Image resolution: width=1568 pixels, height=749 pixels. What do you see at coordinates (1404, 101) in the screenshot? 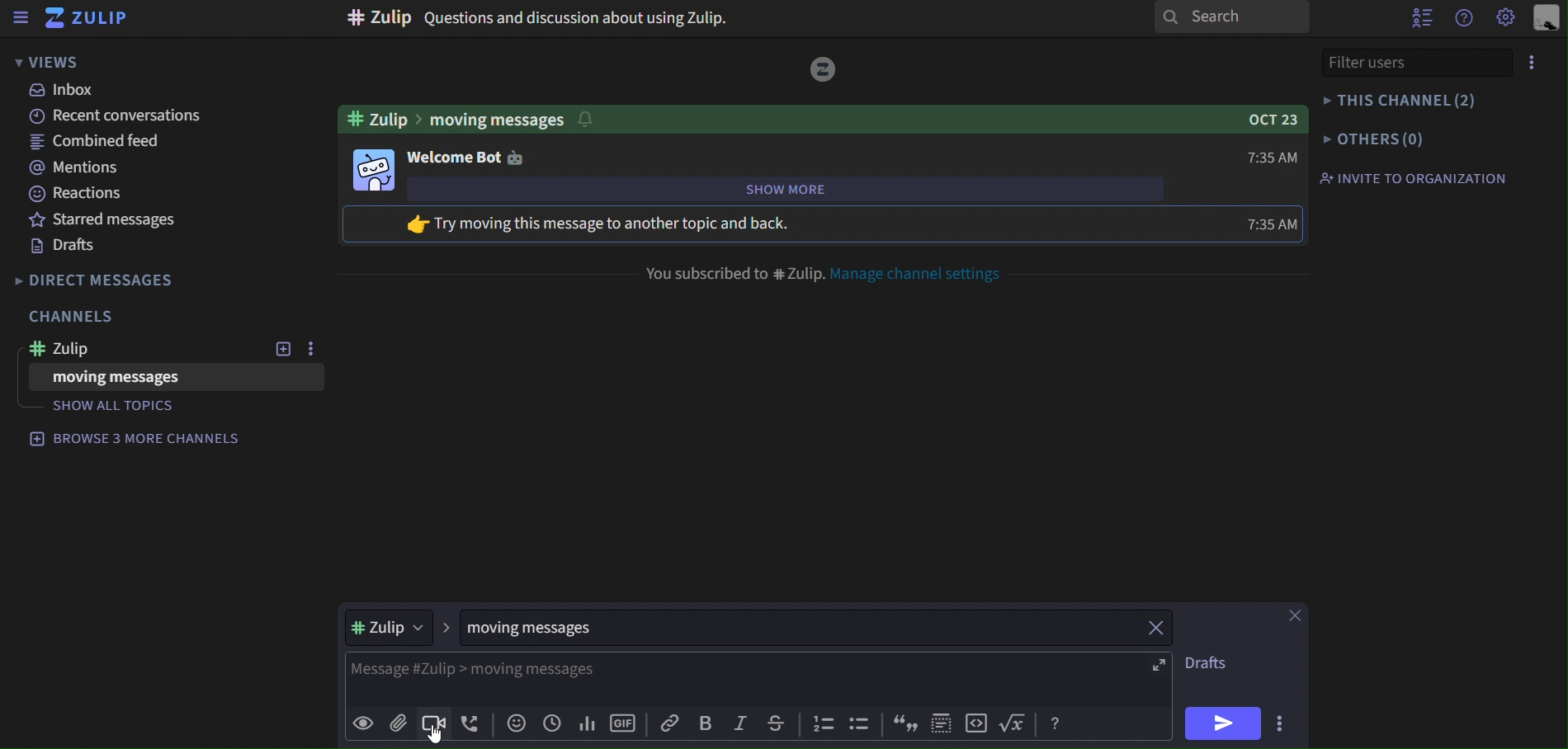
I see `this channel (2)` at bounding box center [1404, 101].